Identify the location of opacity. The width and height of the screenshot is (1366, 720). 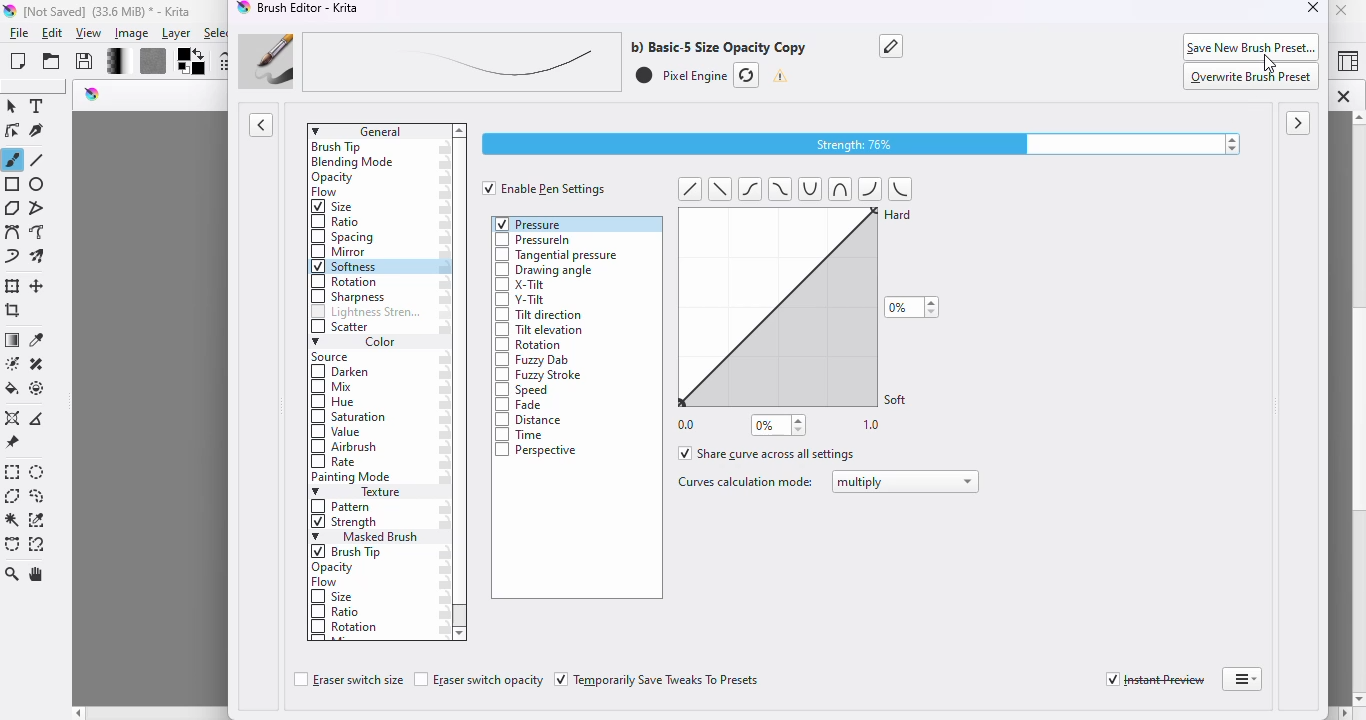
(336, 568).